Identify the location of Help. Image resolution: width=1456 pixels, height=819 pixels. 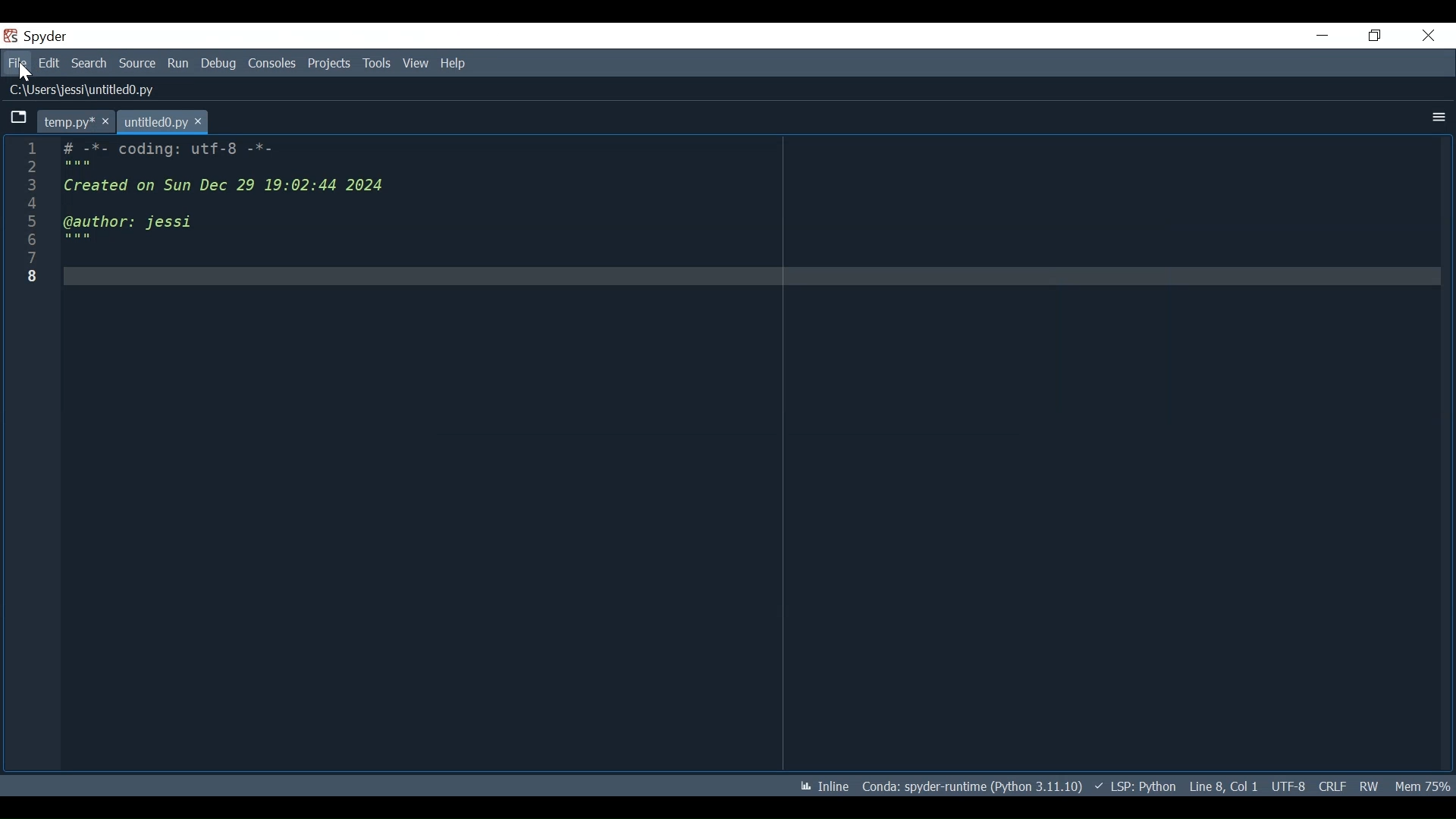
(451, 64).